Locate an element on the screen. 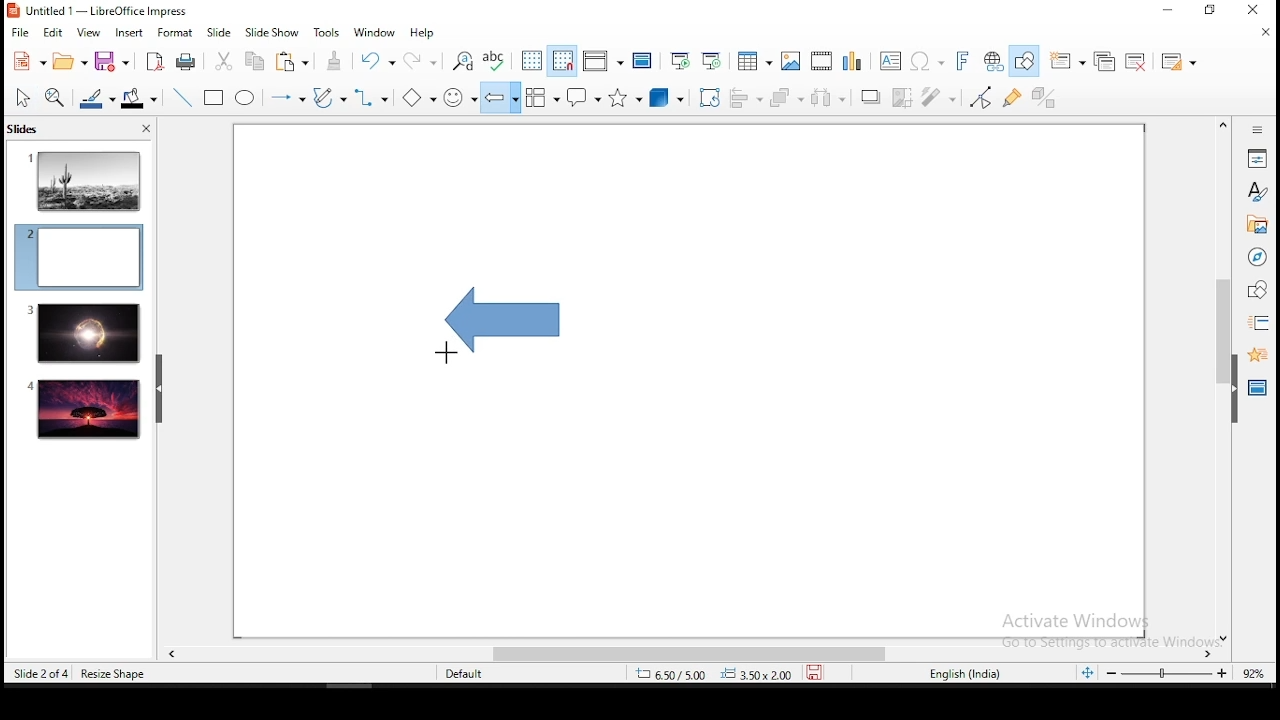  display grid is located at coordinates (529, 60).